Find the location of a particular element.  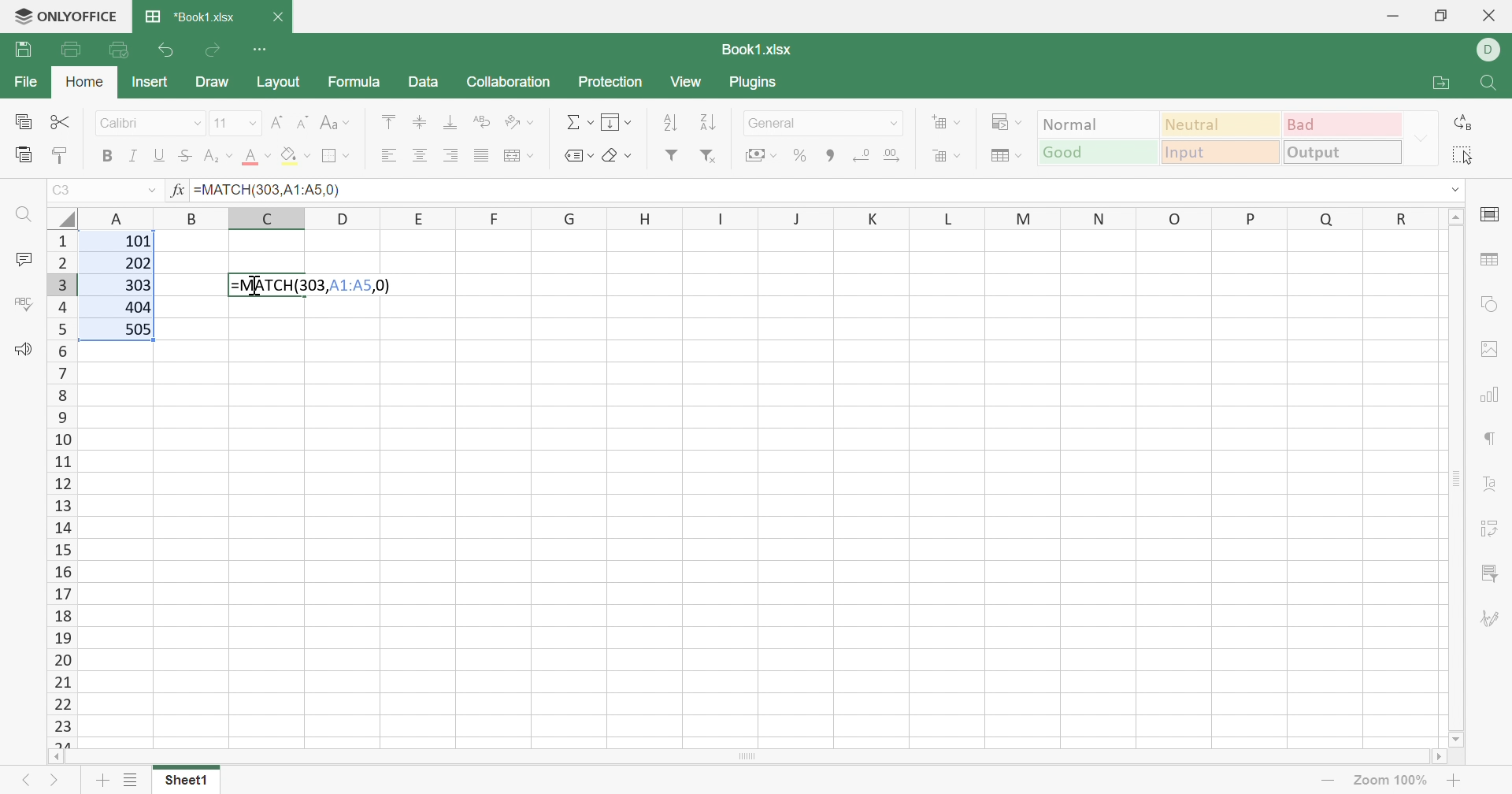

Named ranges is located at coordinates (575, 155).